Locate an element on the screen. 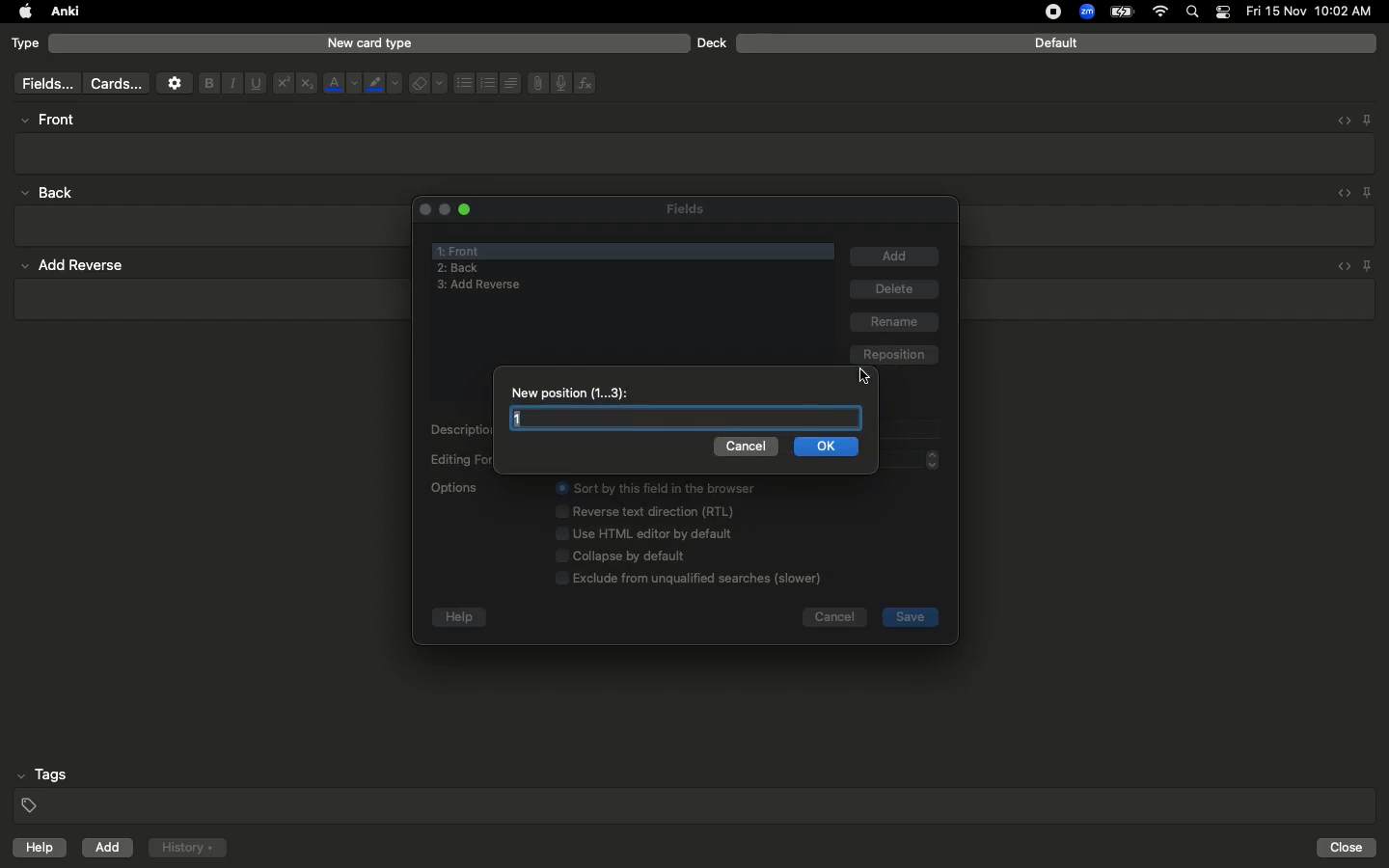 This screenshot has width=1389, height=868. Subscript is located at coordinates (307, 84).